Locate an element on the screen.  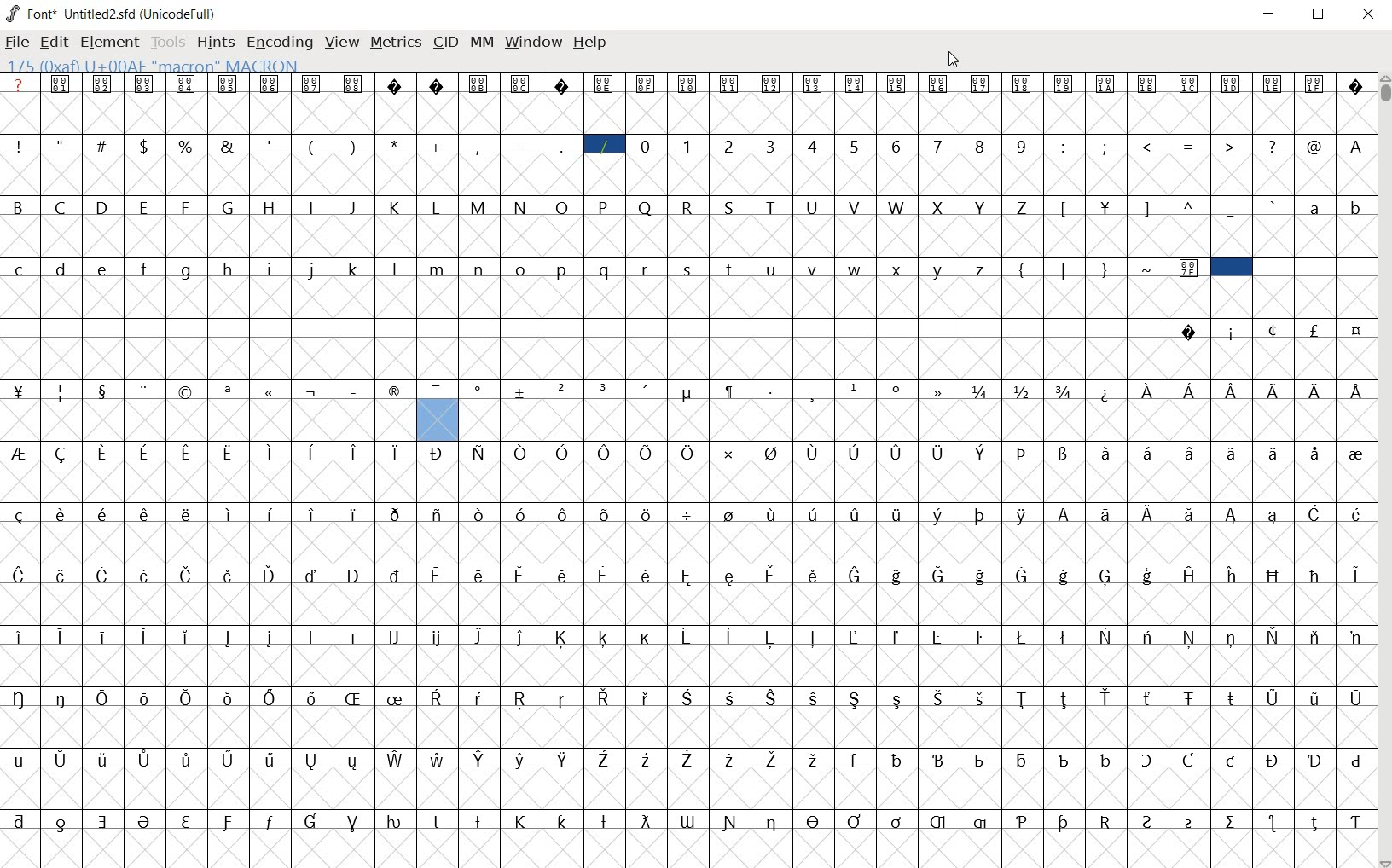
Symbol is located at coordinates (62, 454).